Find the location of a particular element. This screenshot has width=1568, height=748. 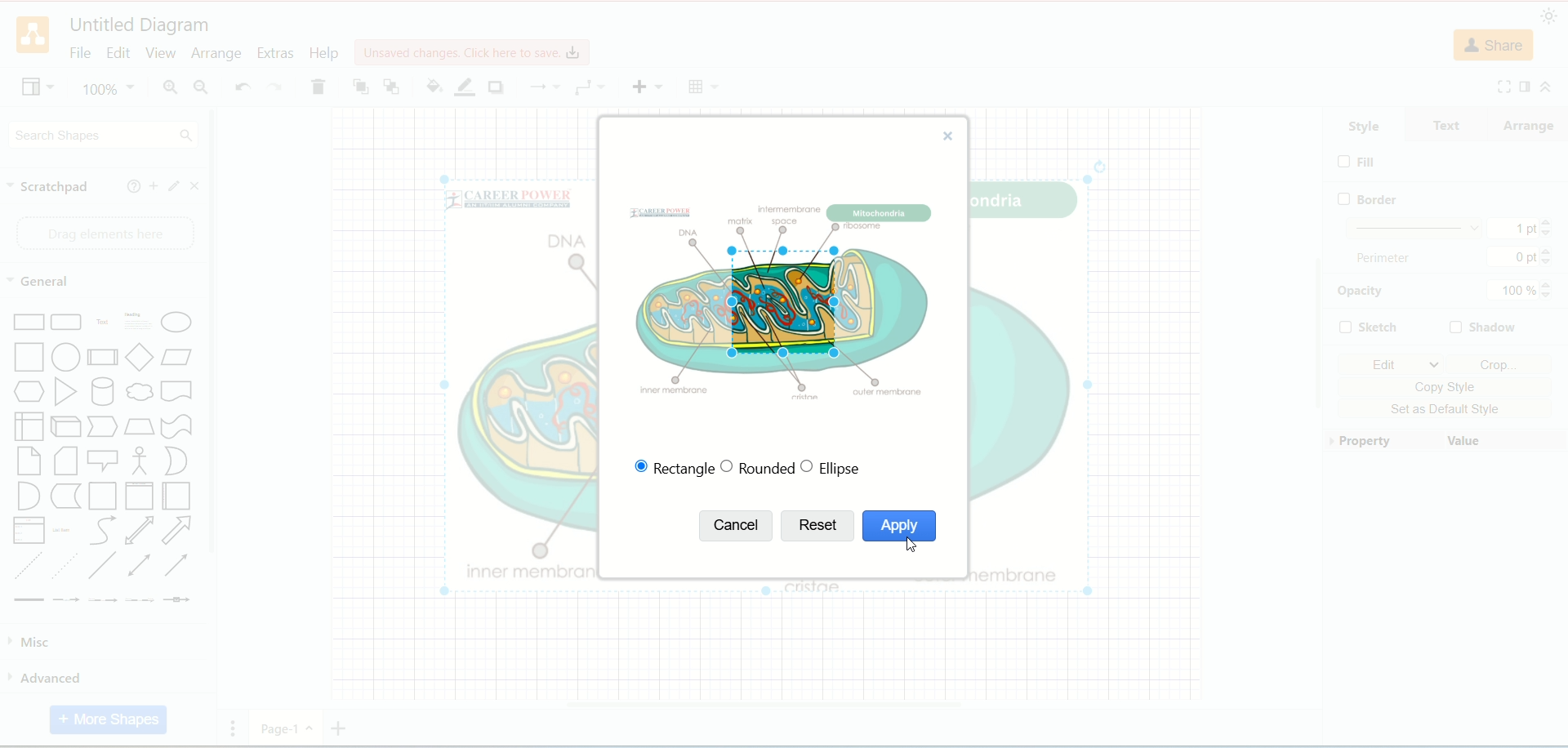

value is located at coordinates (1503, 443).